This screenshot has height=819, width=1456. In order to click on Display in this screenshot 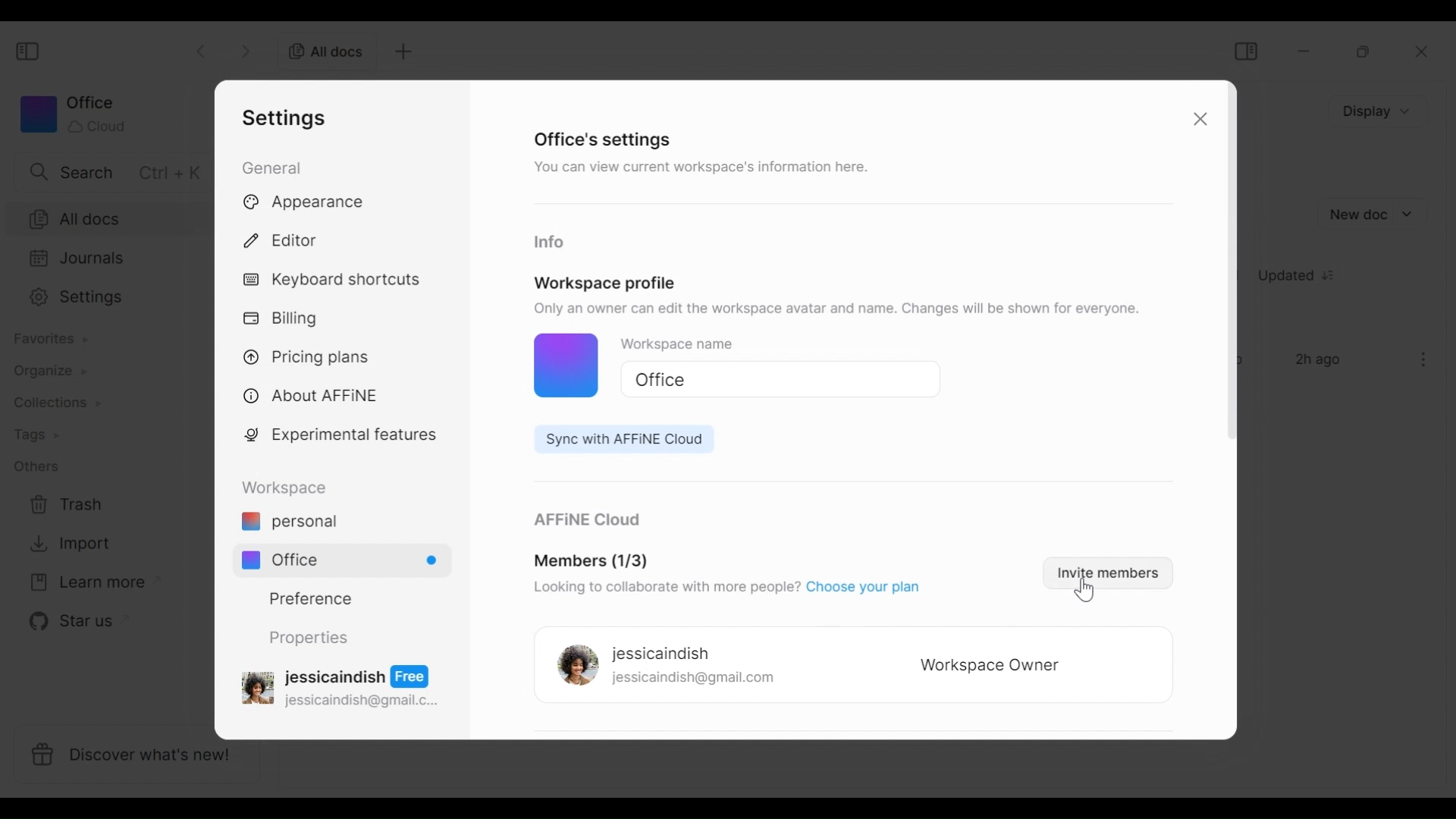, I will do `click(1380, 110)`.